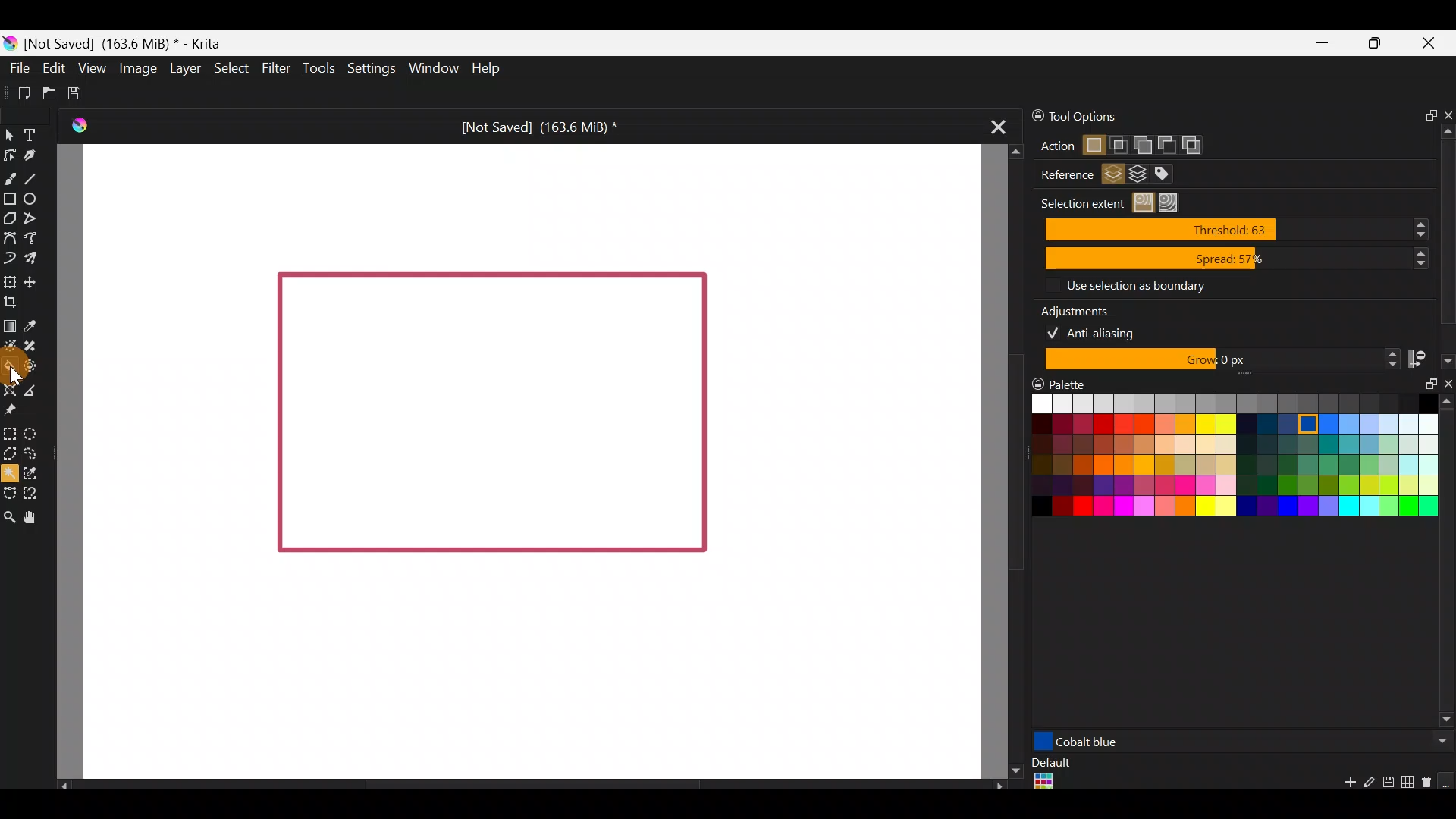 This screenshot has height=819, width=1456. What do you see at coordinates (32, 452) in the screenshot?
I see `Freehand selection tool` at bounding box center [32, 452].